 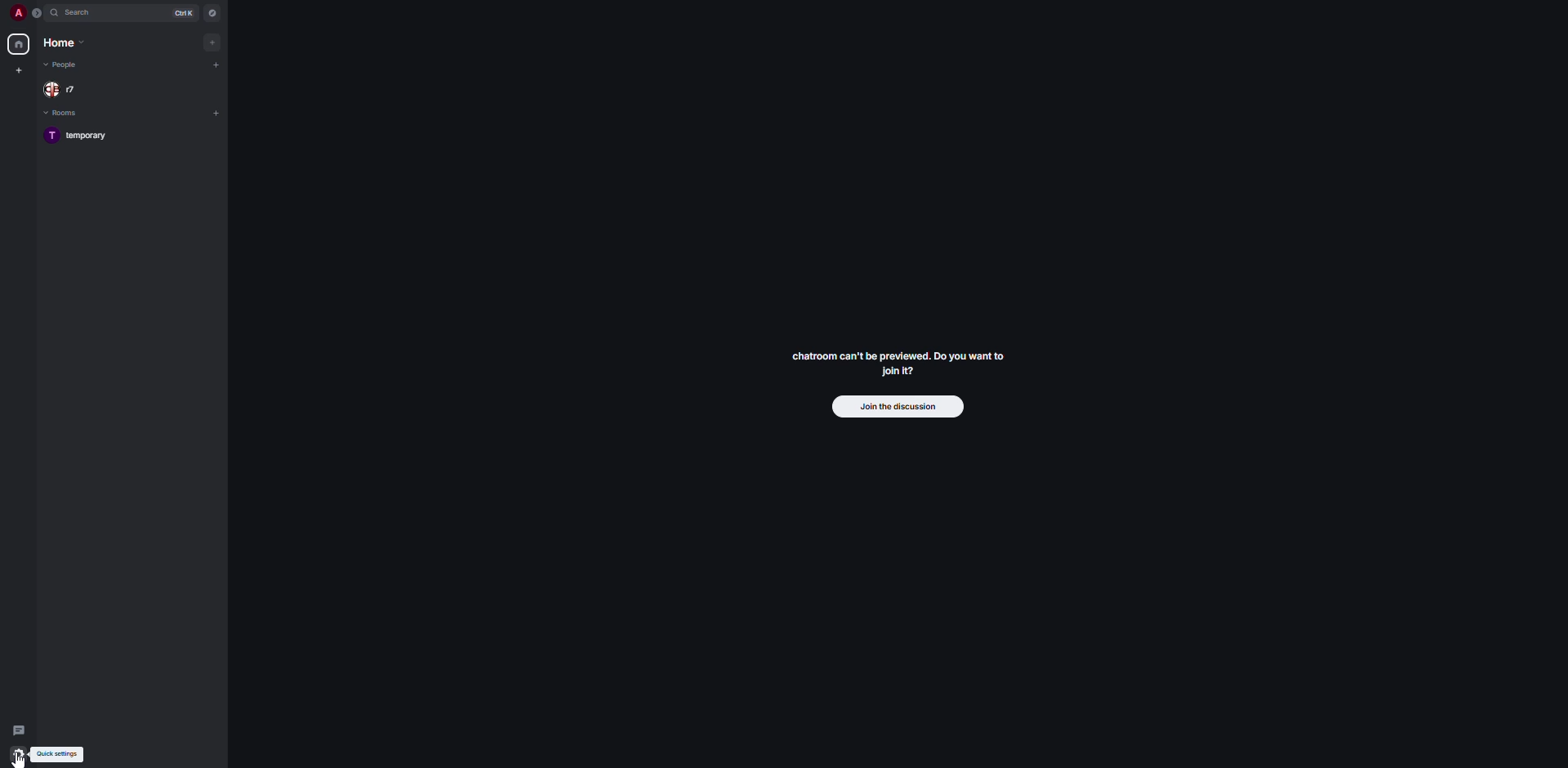 What do you see at coordinates (65, 44) in the screenshot?
I see `home` at bounding box center [65, 44].